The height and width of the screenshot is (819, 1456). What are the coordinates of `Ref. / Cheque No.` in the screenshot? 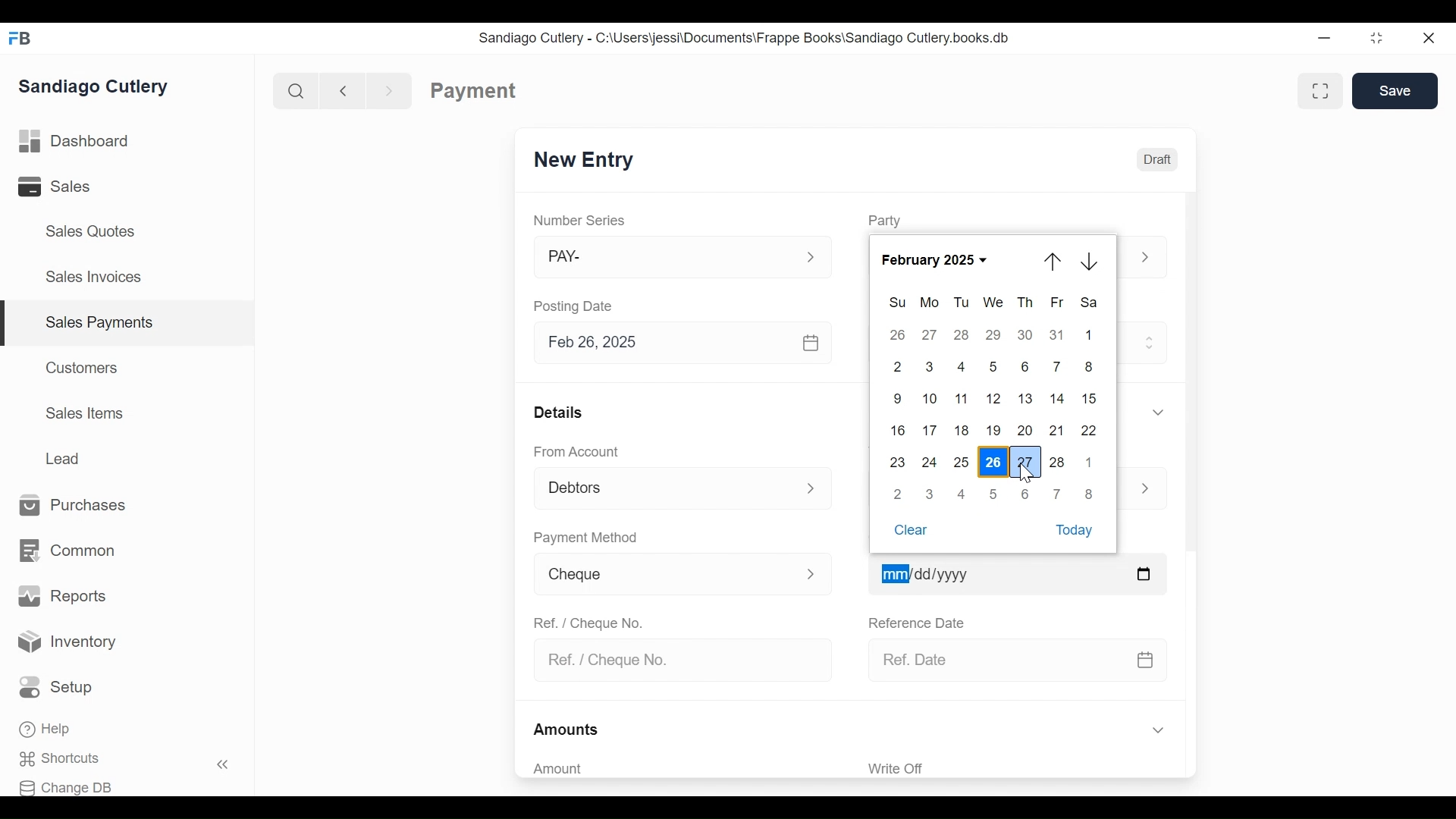 It's located at (676, 661).